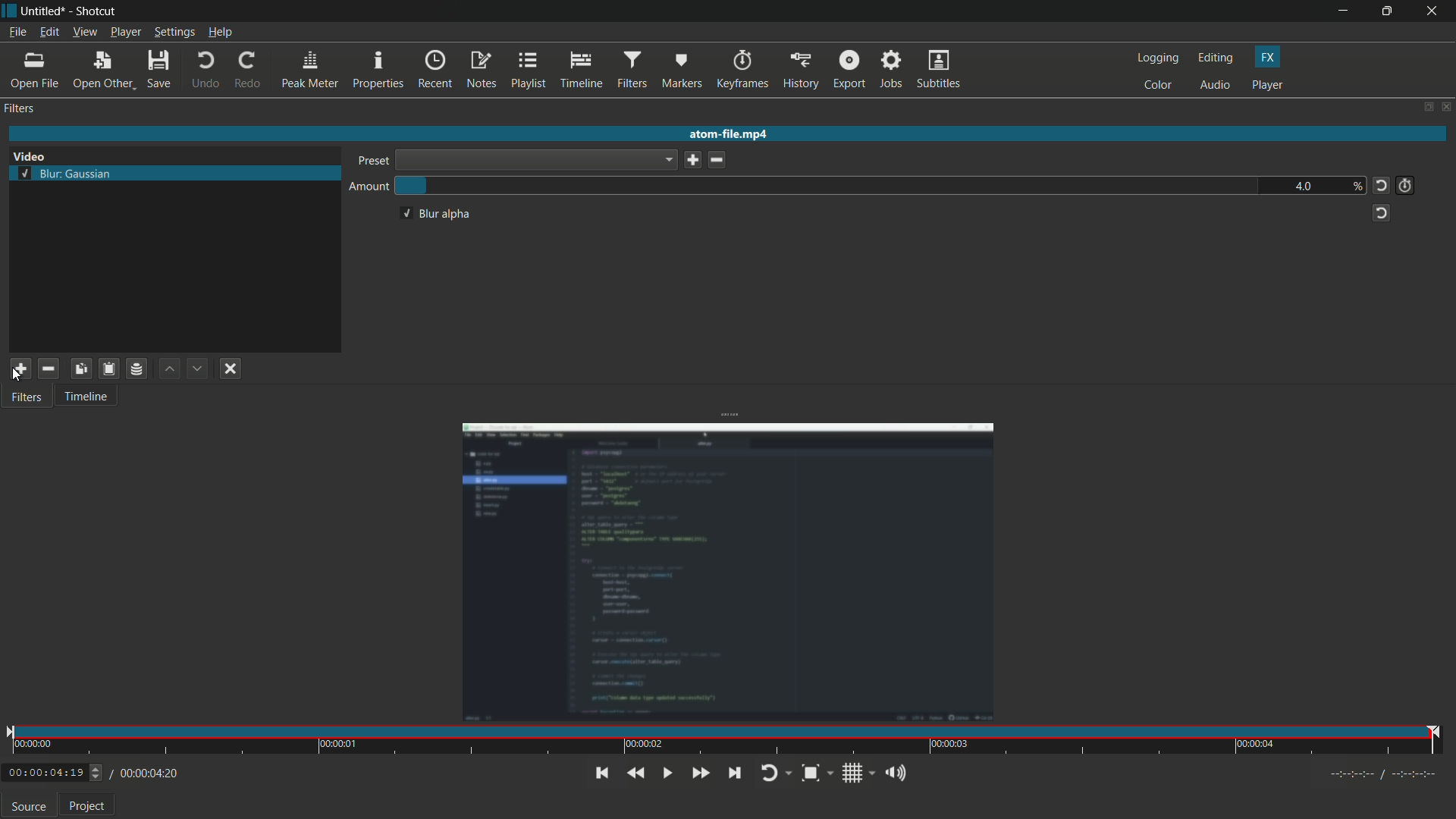 The image size is (1456, 819). Describe the element at coordinates (1159, 86) in the screenshot. I see `color` at that location.